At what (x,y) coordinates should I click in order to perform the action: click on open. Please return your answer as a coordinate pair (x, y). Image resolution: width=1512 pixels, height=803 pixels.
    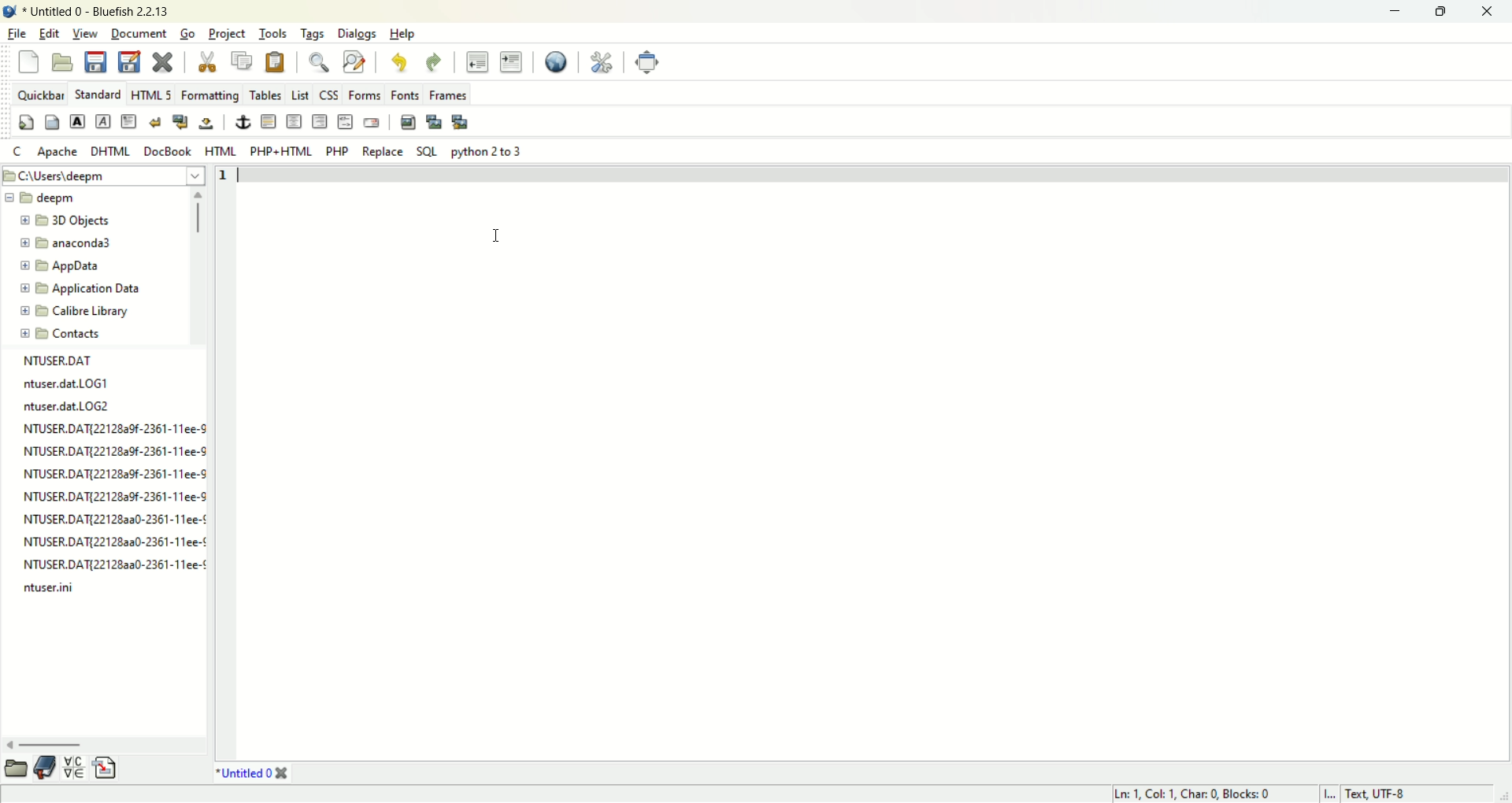
    Looking at the image, I should click on (60, 62).